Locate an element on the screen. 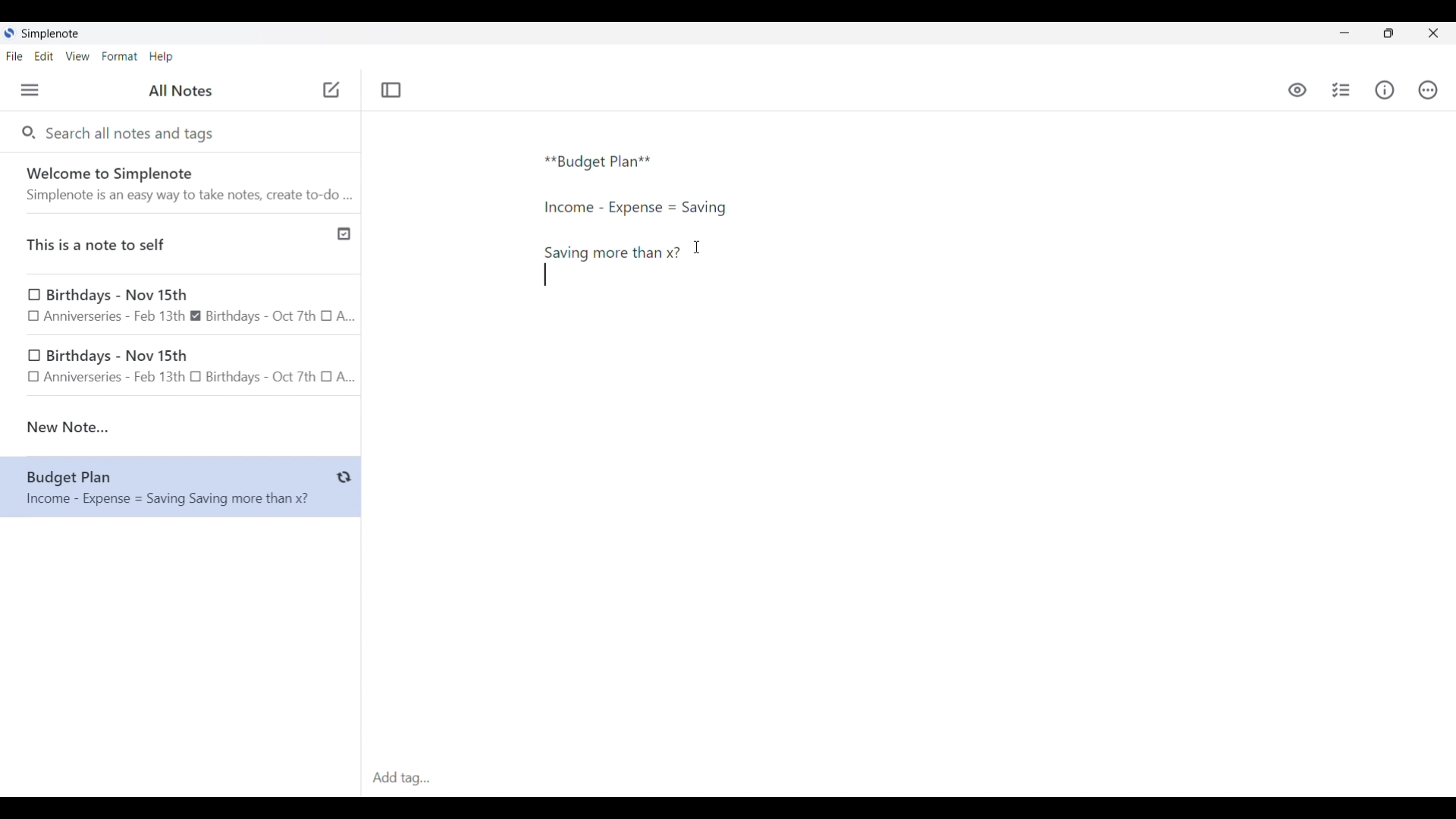  Toggle focus mode is located at coordinates (391, 90).